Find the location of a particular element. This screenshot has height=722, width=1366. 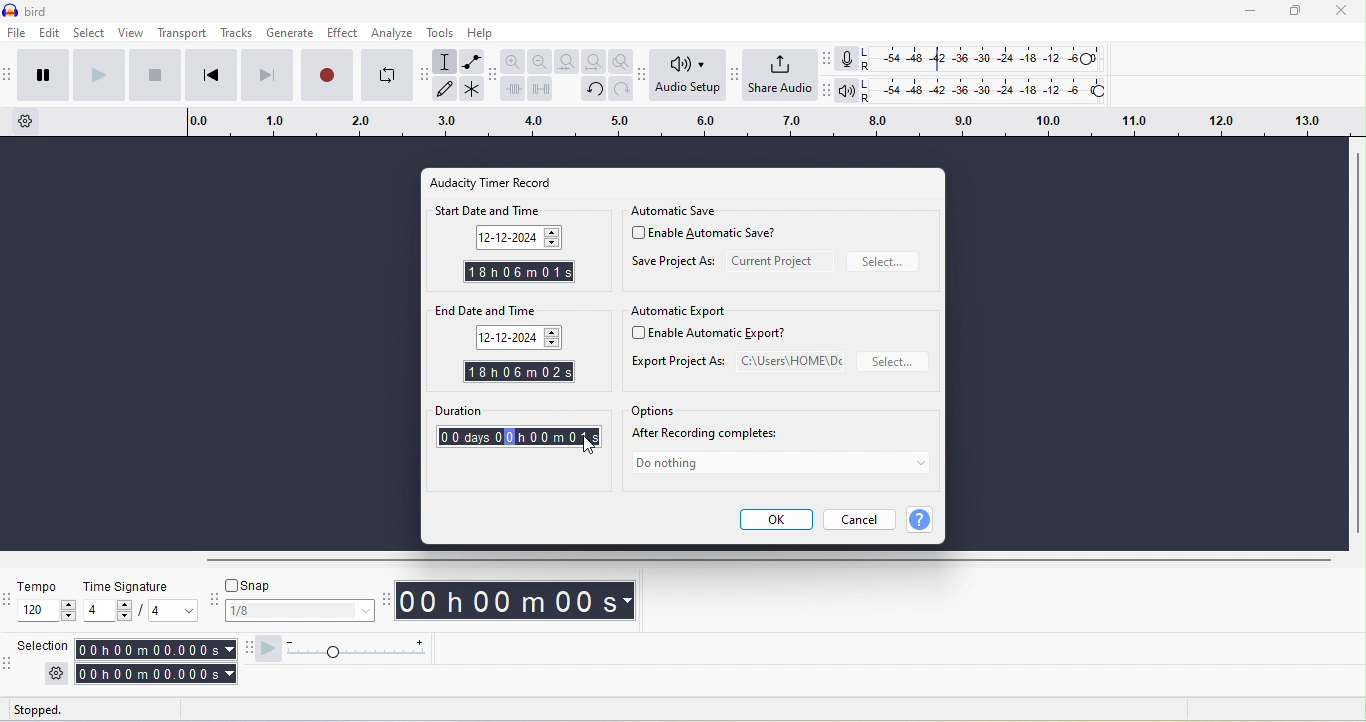

zoom in is located at coordinates (514, 61).